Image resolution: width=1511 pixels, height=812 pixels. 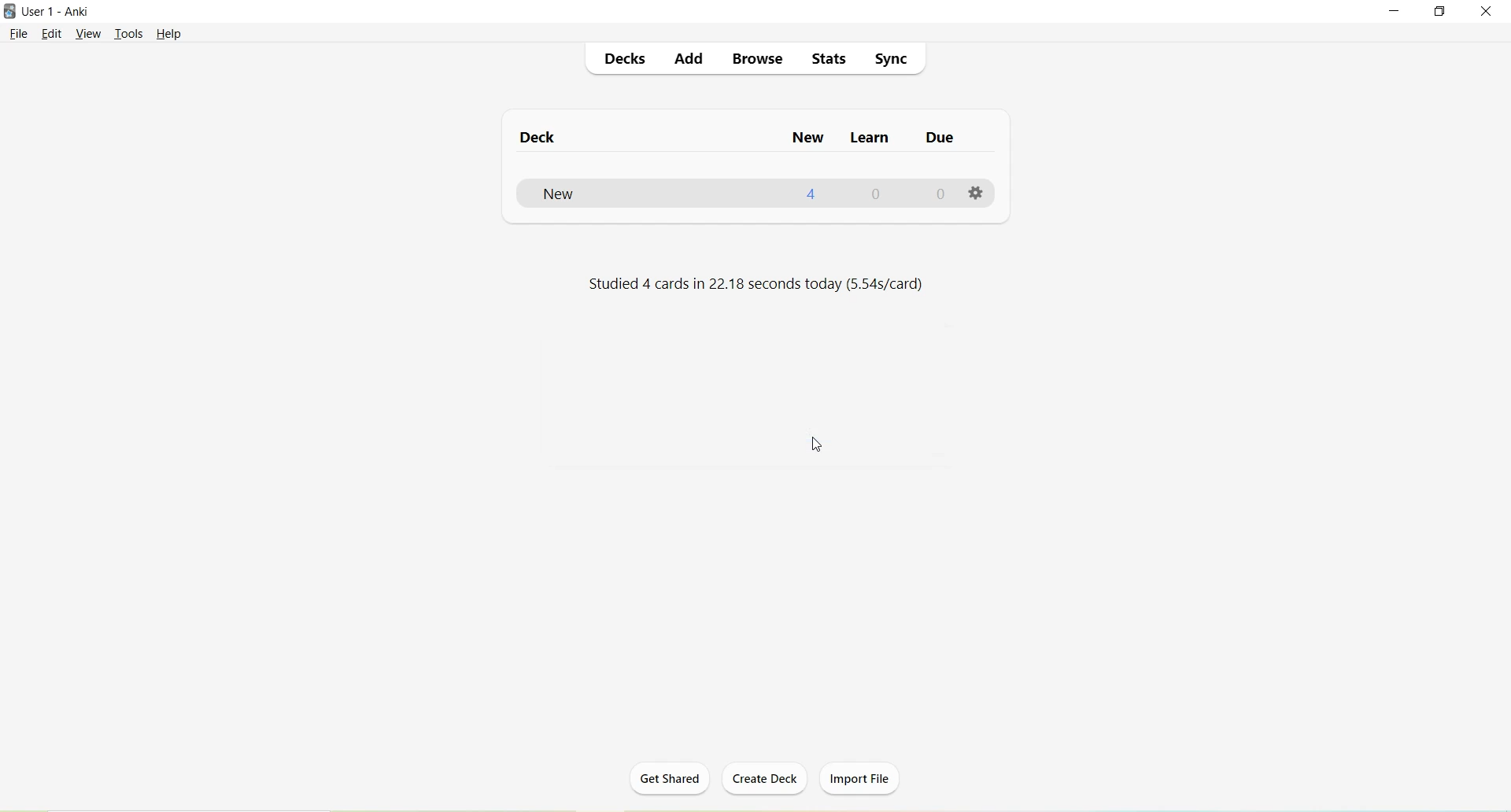 I want to click on Browse, so click(x=759, y=61).